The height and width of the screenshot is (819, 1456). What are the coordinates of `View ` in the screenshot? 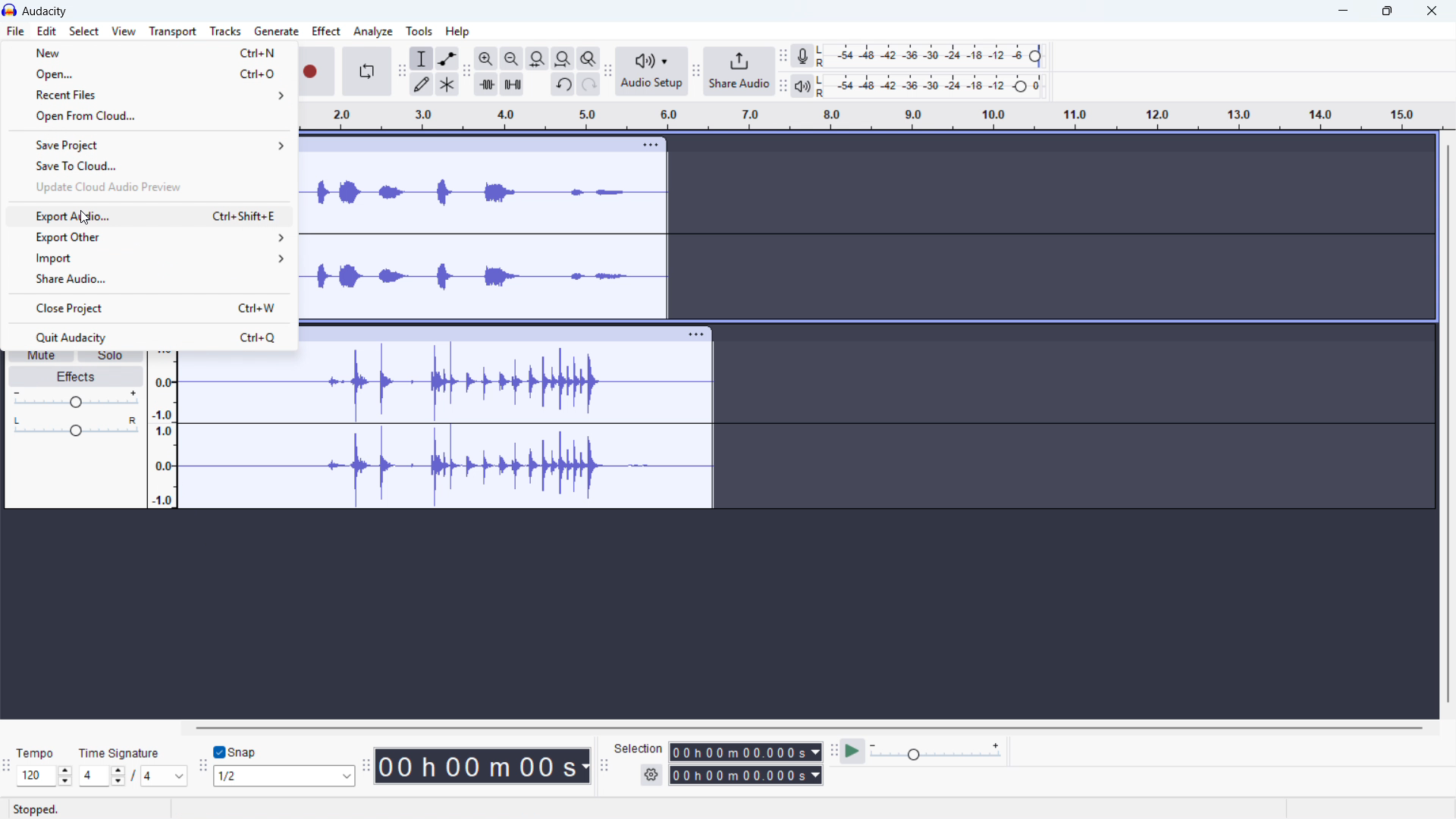 It's located at (124, 31).